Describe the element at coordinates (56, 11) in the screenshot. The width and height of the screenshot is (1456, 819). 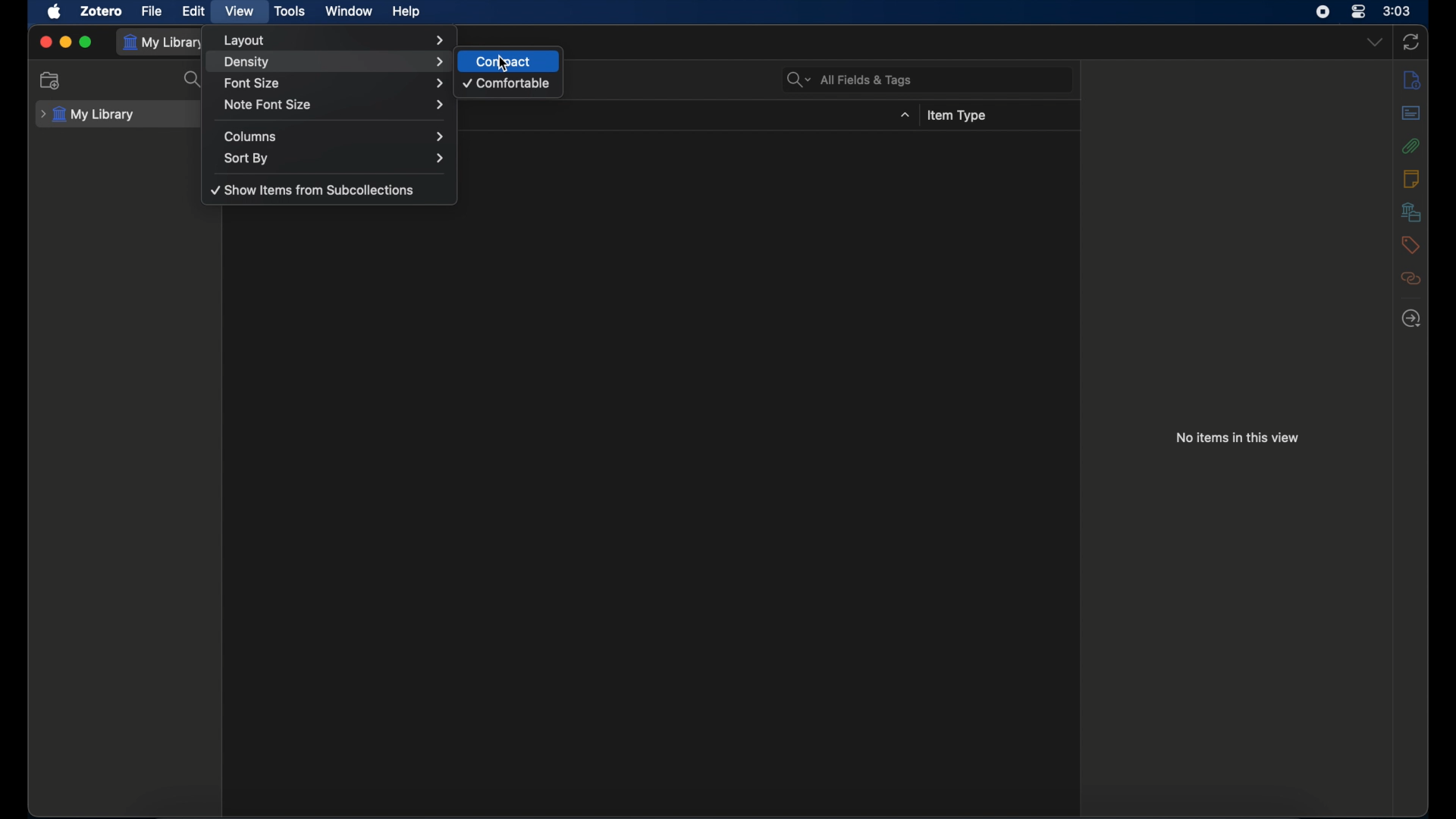
I see `apple icon` at that location.